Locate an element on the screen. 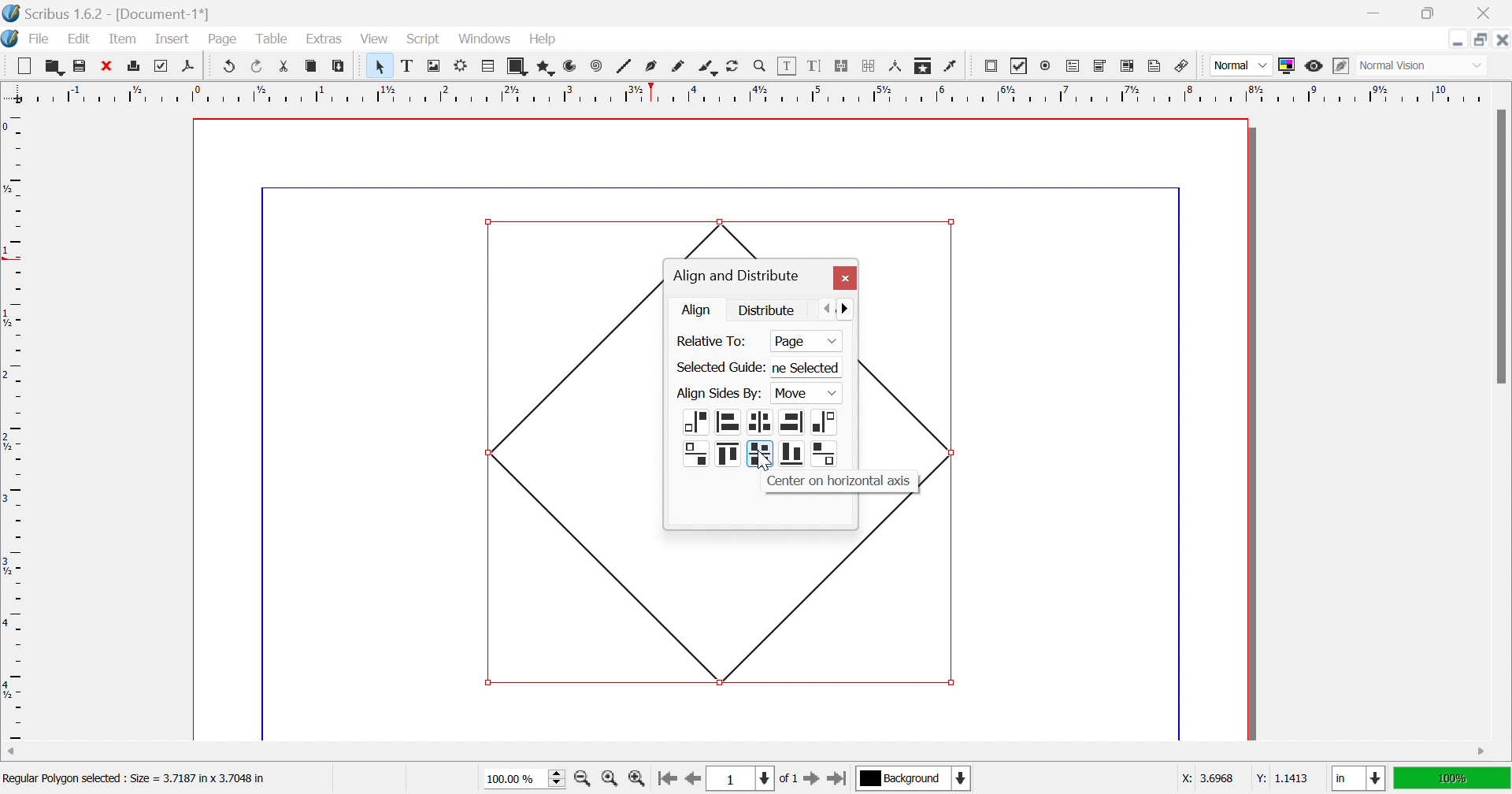  File is located at coordinates (40, 40).